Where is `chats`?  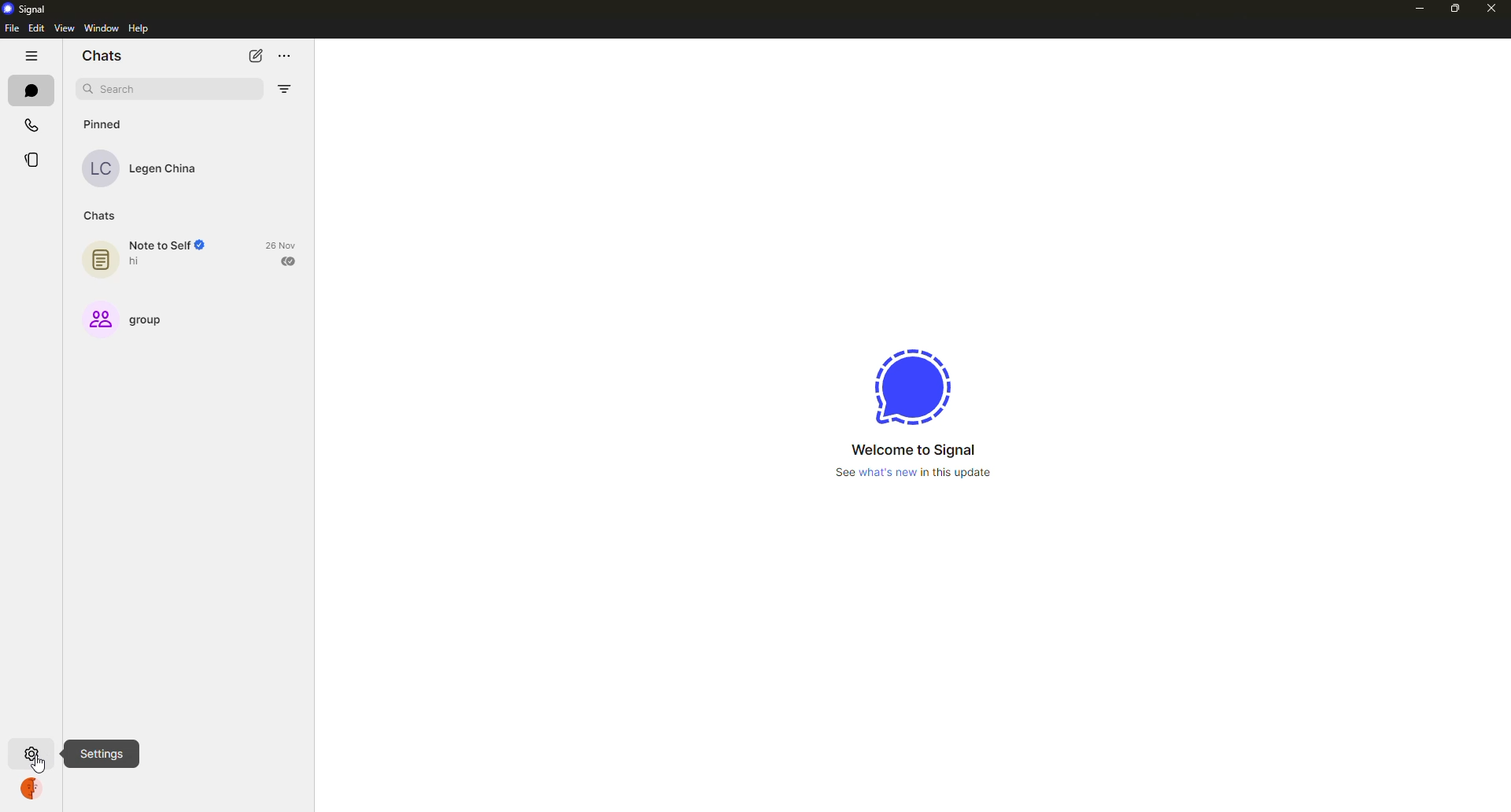 chats is located at coordinates (31, 89).